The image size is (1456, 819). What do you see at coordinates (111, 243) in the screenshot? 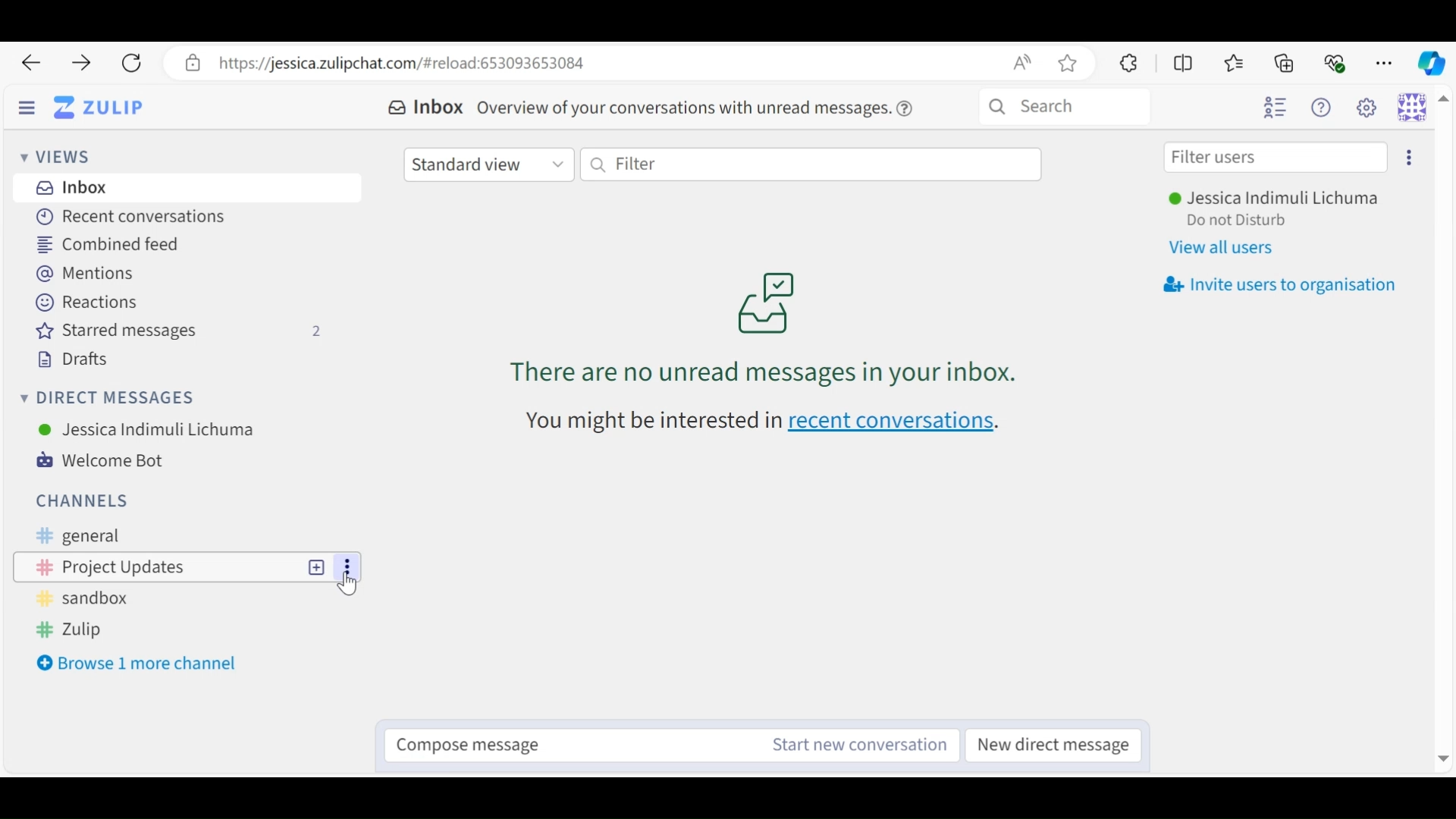
I see `Combined feed` at bounding box center [111, 243].